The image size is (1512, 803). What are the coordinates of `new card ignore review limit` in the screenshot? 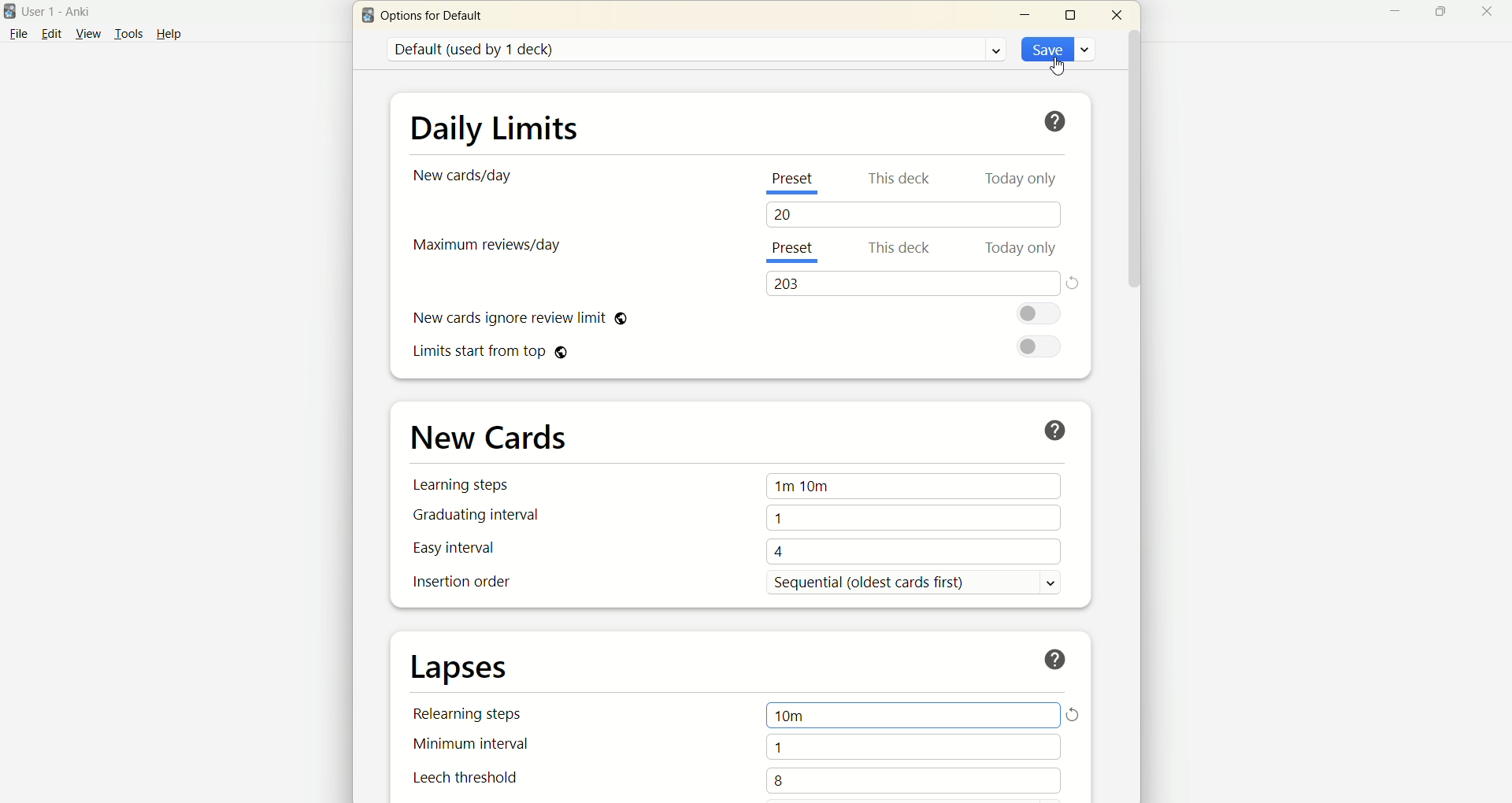 It's located at (518, 320).